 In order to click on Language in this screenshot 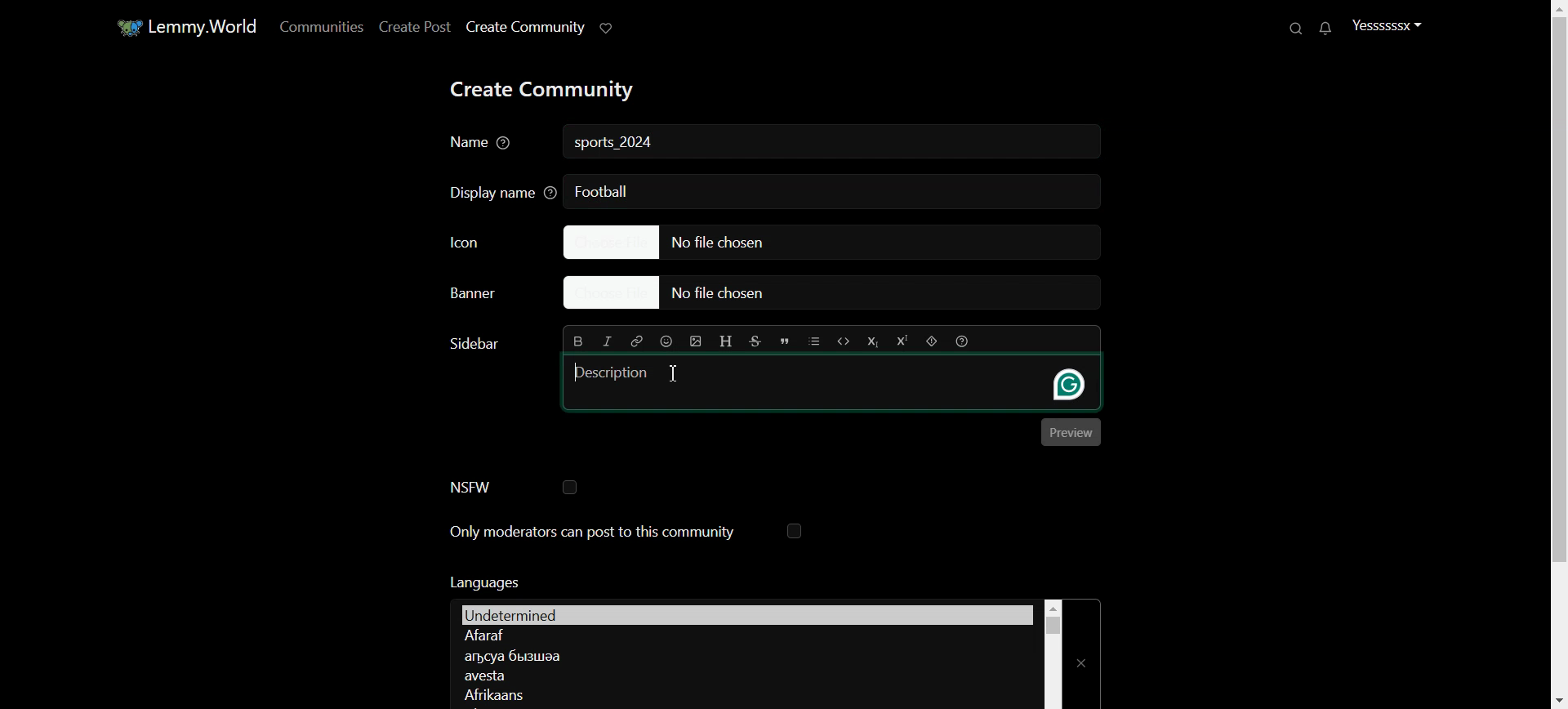, I will do `click(742, 655)`.